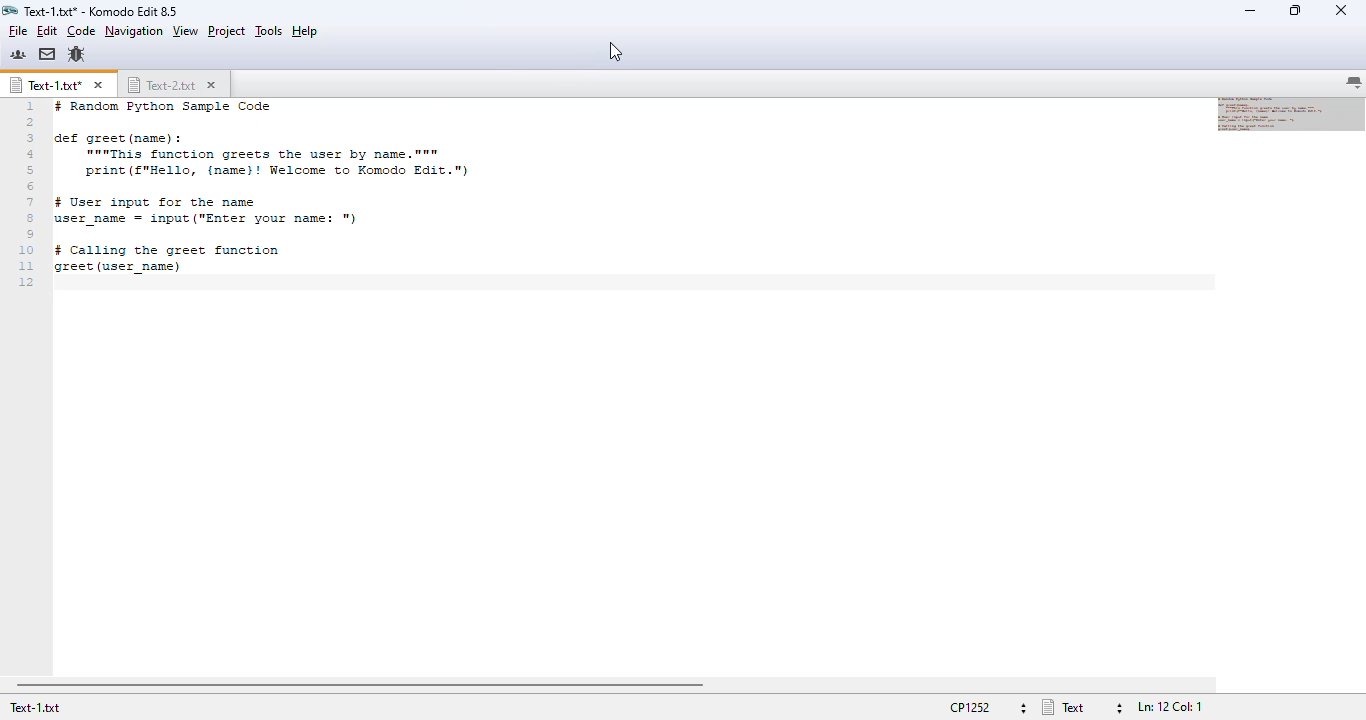 The image size is (1366, 720). I want to click on view, so click(186, 30).